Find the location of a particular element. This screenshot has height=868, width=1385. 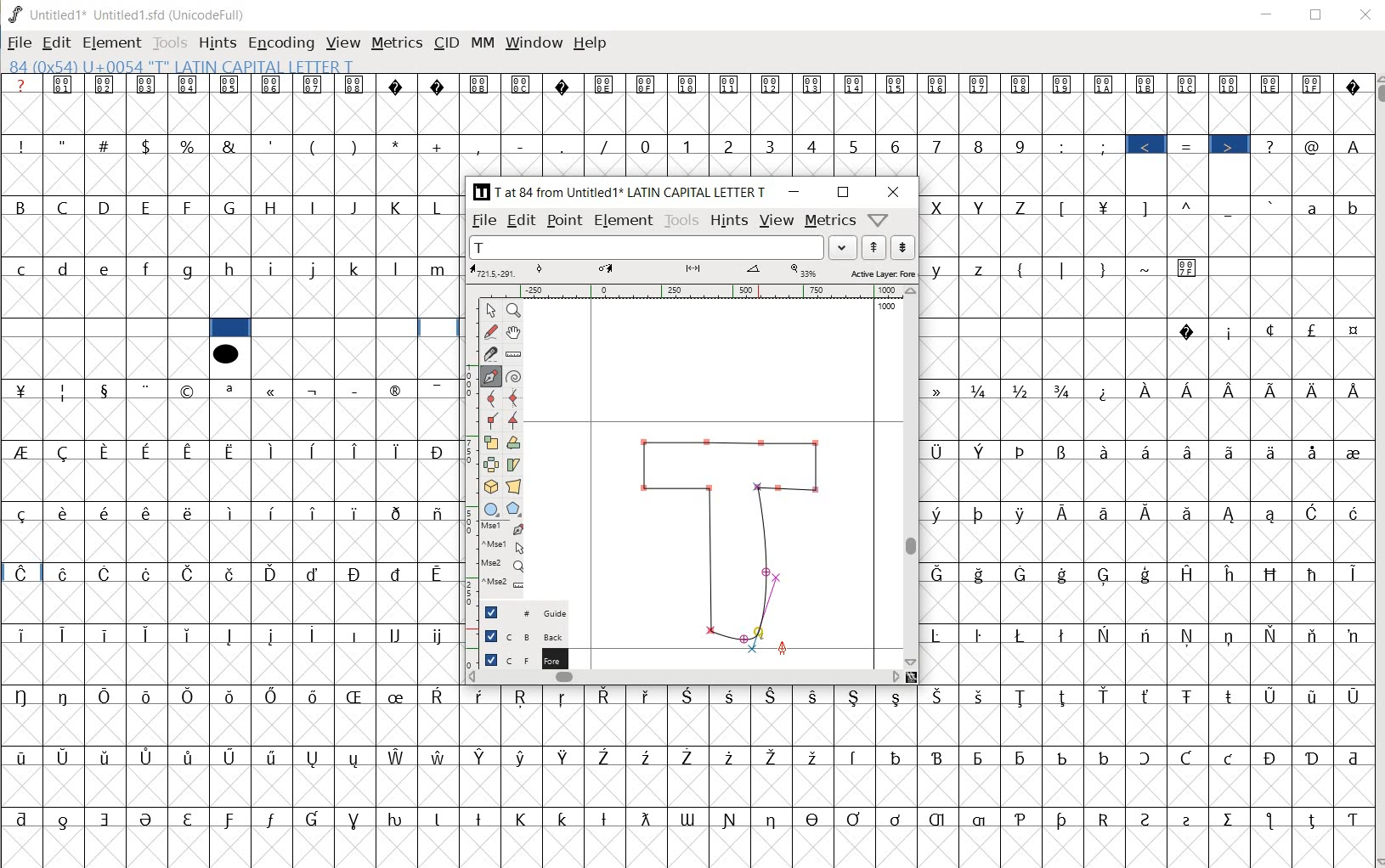

metrics is located at coordinates (396, 47).